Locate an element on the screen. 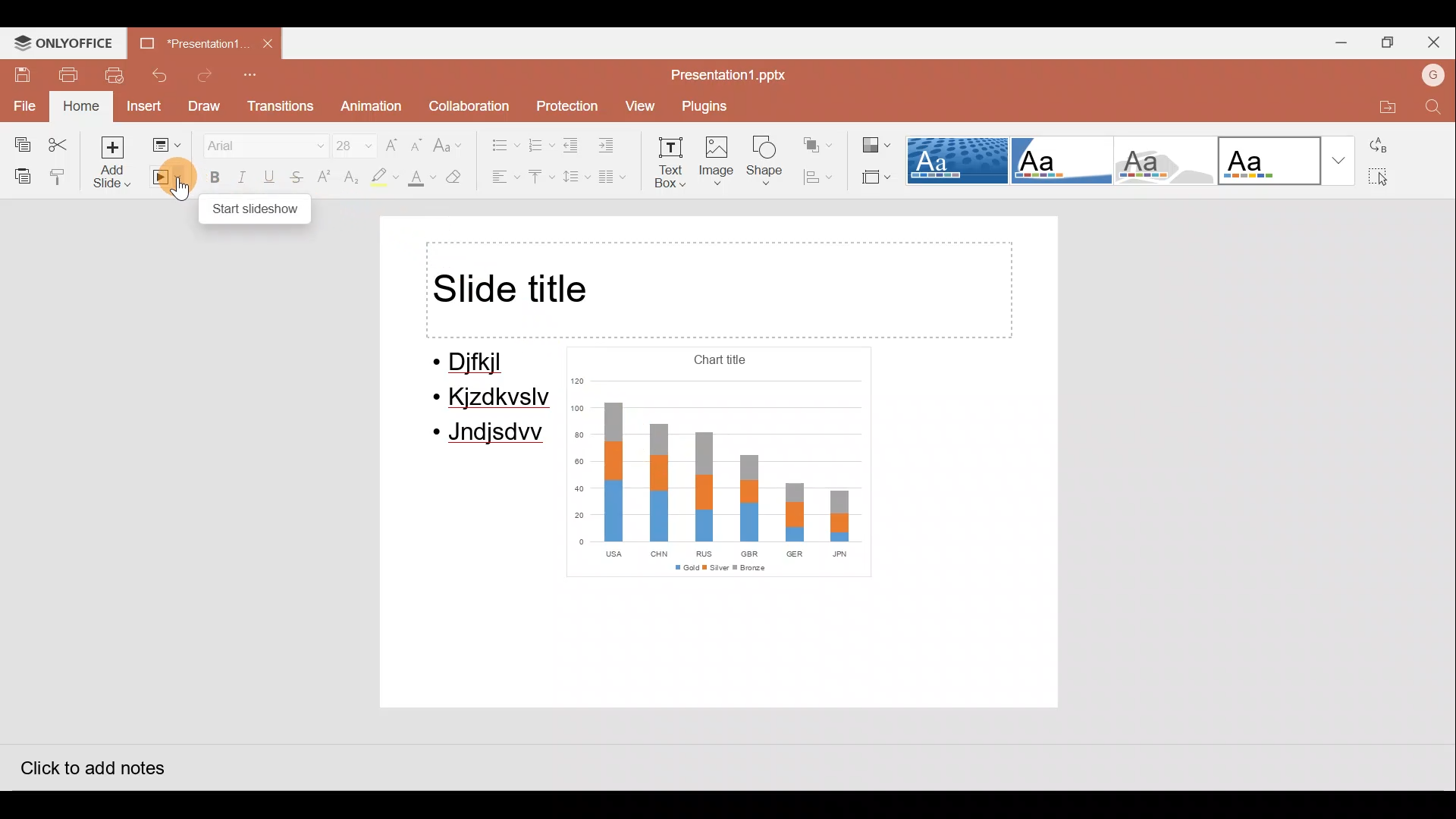 The height and width of the screenshot is (819, 1456). Numbering is located at coordinates (538, 143).